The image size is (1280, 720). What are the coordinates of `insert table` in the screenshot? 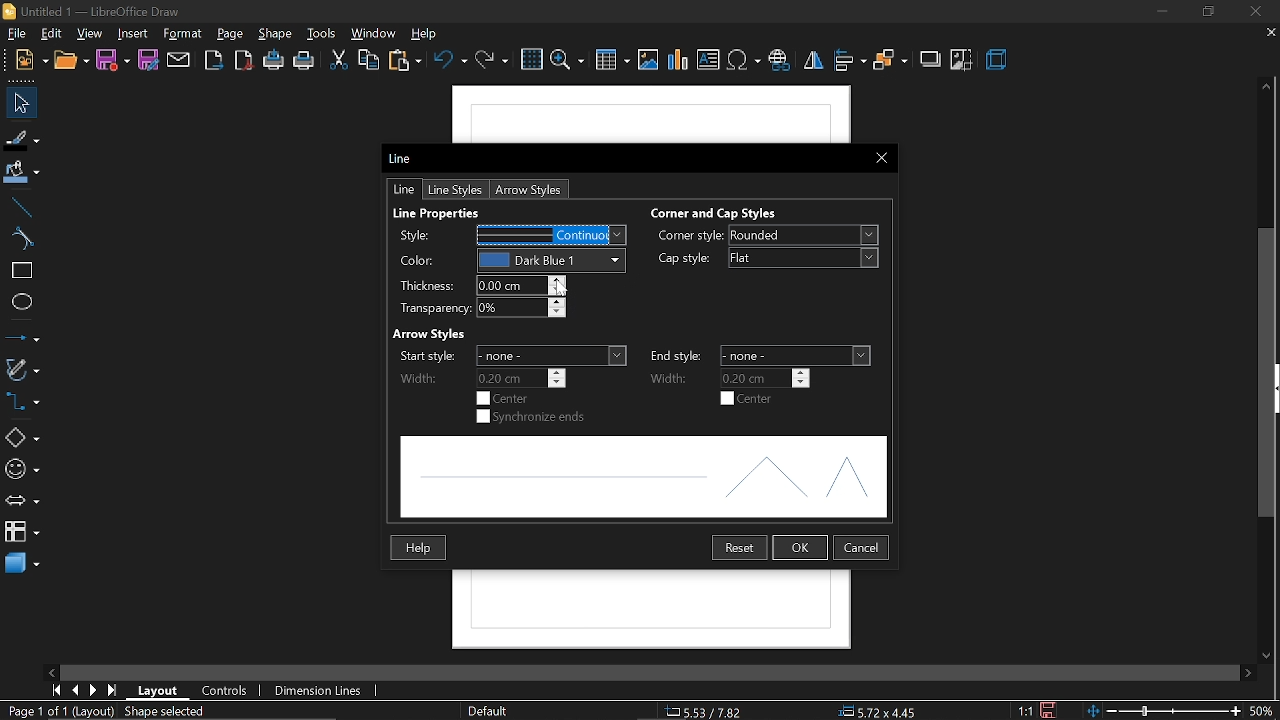 It's located at (611, 62).